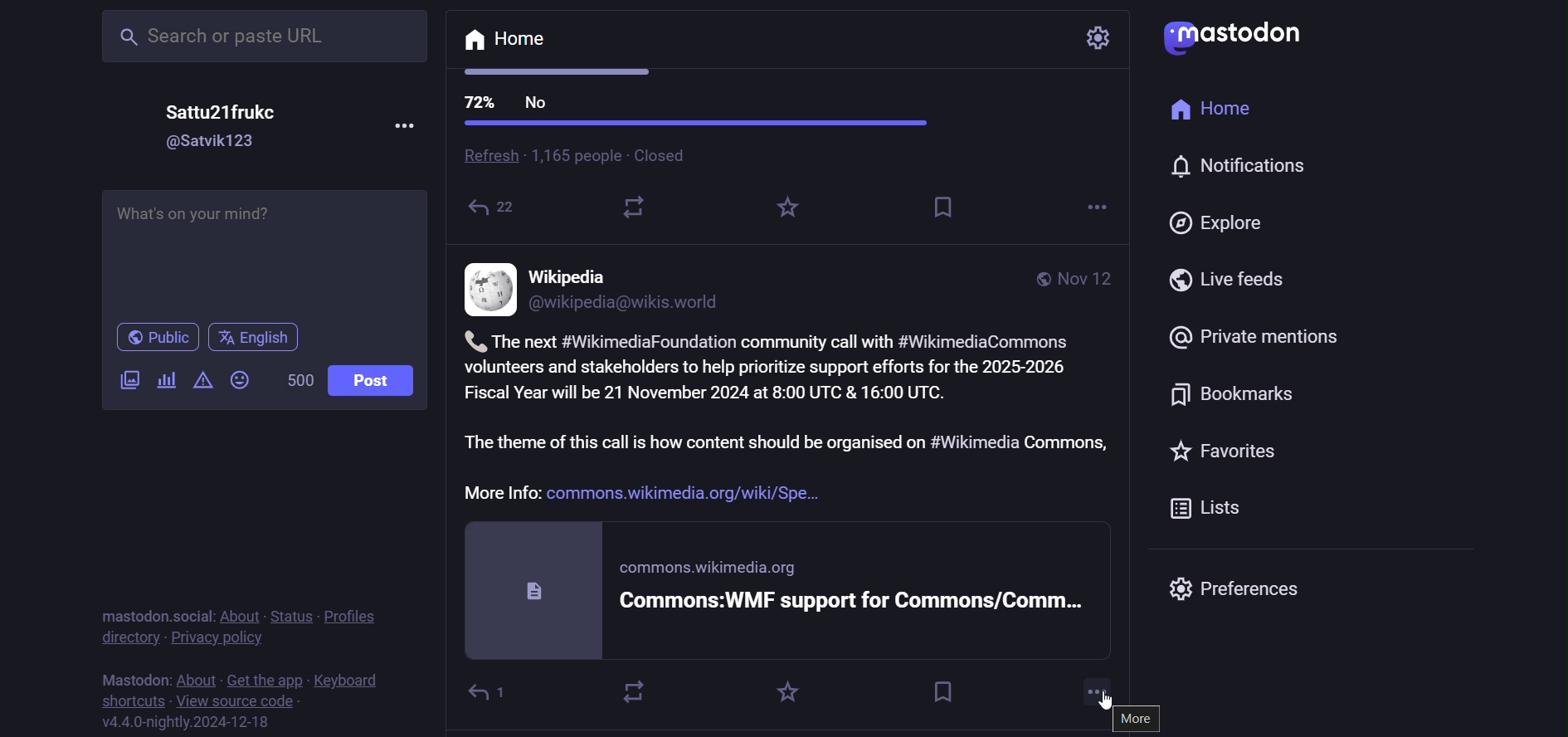 This screenshot has height=737, width=1568. Describe the element at coordinates (296, 379) in the screenshot. I see `word limit` at that location.